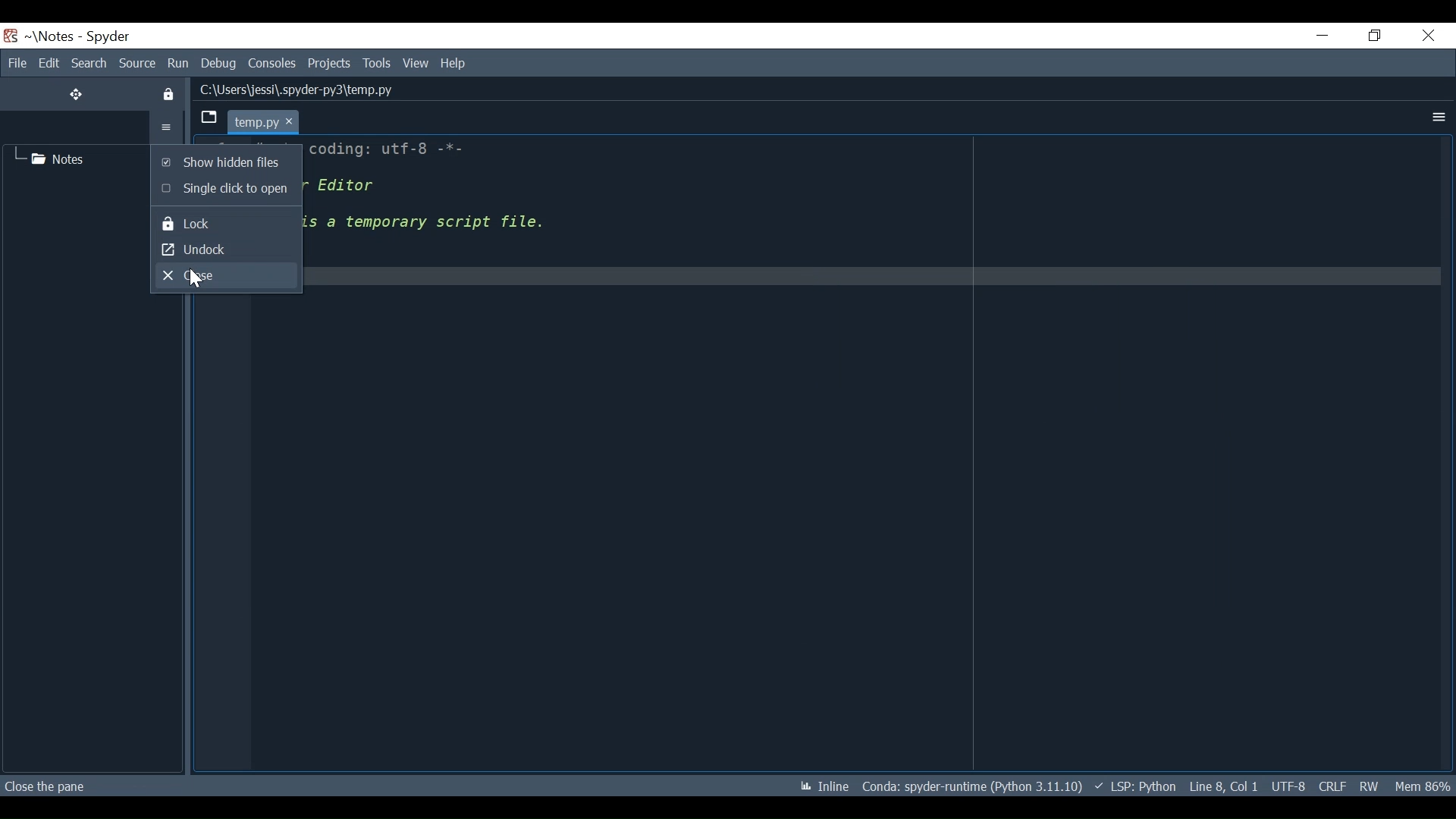 The width and height of the screenshot is (1456, 819). What do you see at coordinates (1373, 36) in the screenshot?
I see `Restore` at bounding box center [1373, 36].